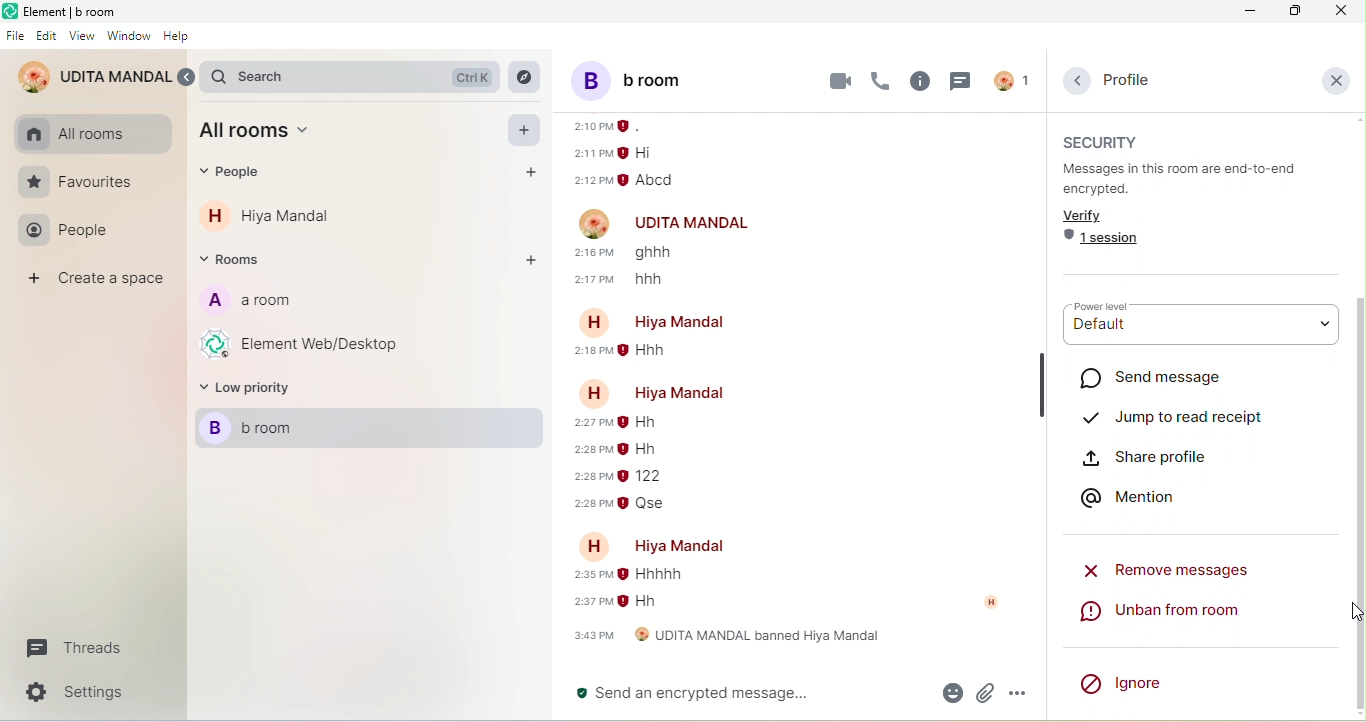  I want to click on file, so click(15, 37).